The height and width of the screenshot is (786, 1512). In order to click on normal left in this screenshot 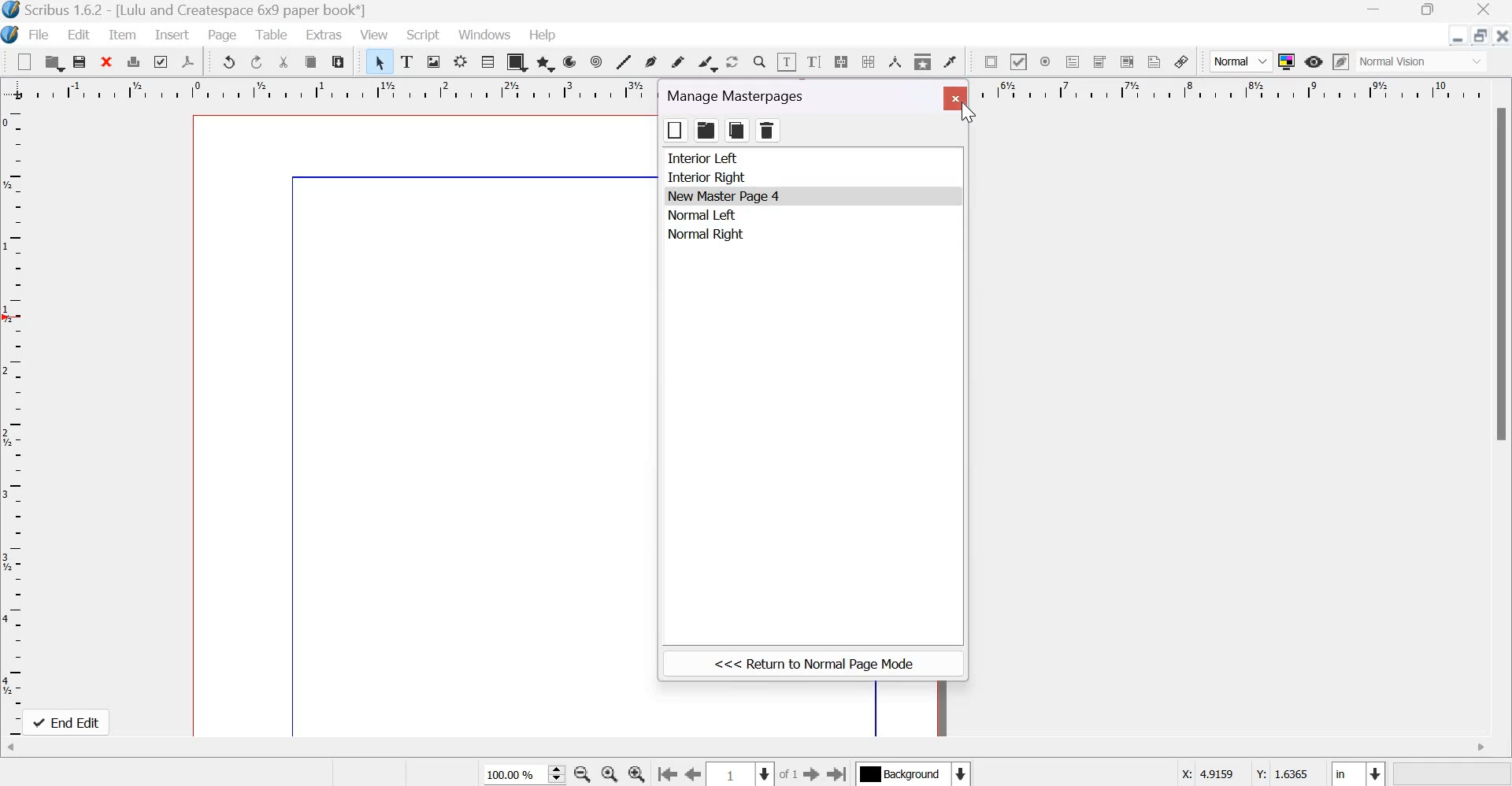, I will do `click(704, 216)`.